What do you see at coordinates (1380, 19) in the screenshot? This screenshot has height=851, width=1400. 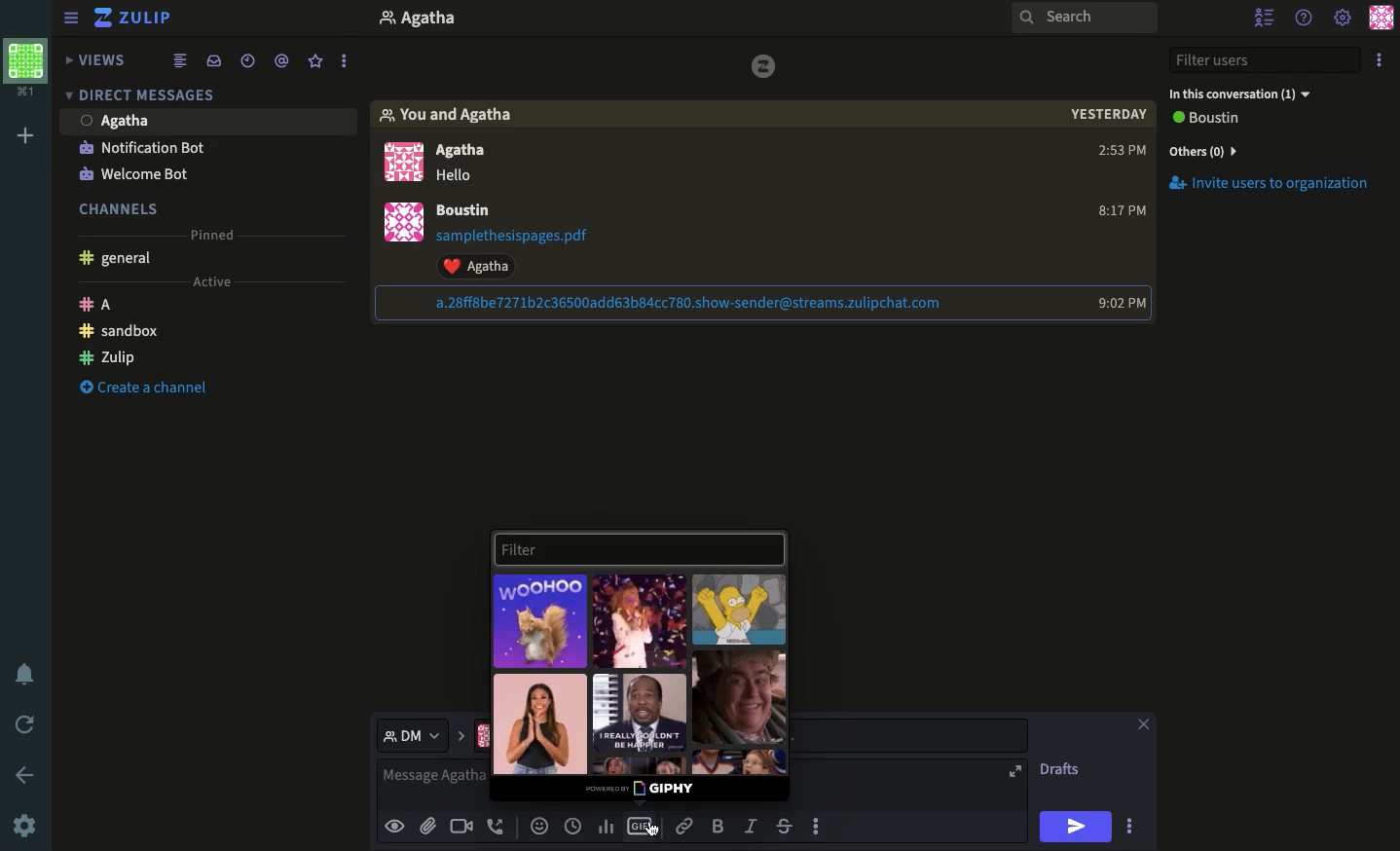 I see `Profile` at bounding box center [1380, 19].